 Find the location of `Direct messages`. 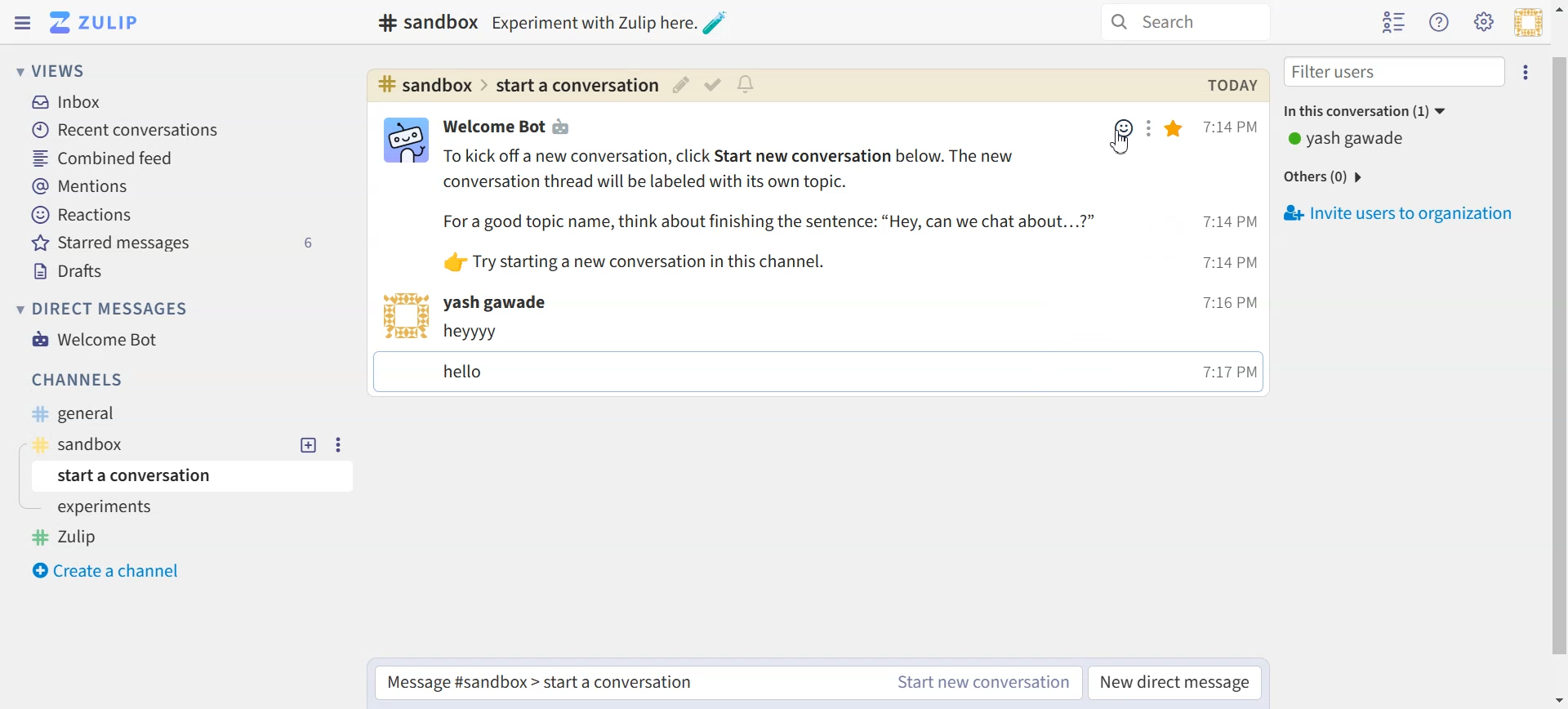

Direct messages is located at coordinates (106, 309).